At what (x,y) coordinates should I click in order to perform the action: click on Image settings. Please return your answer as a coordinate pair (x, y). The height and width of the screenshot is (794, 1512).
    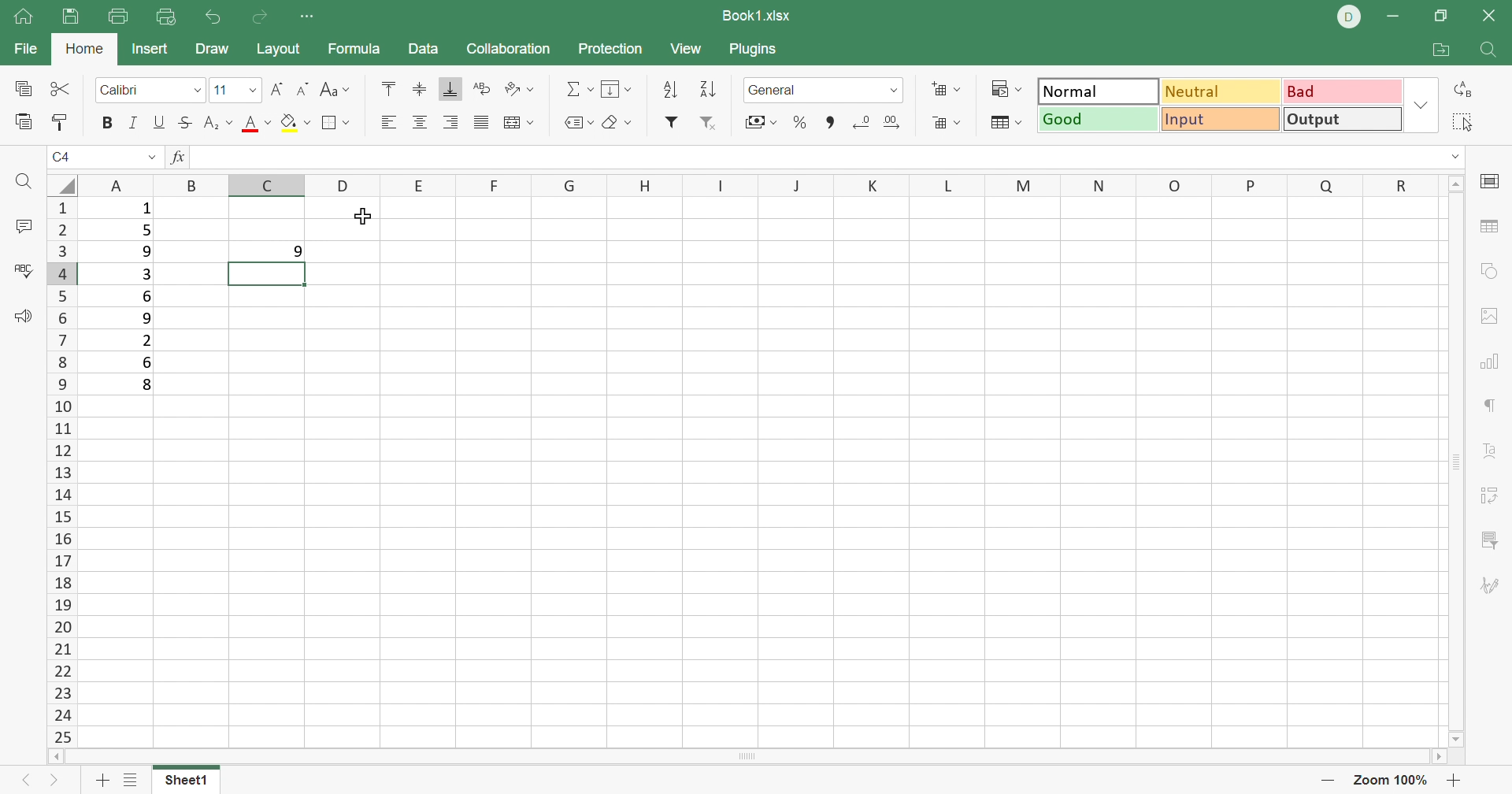
    Looking at the image, I should click on (1491, 317).